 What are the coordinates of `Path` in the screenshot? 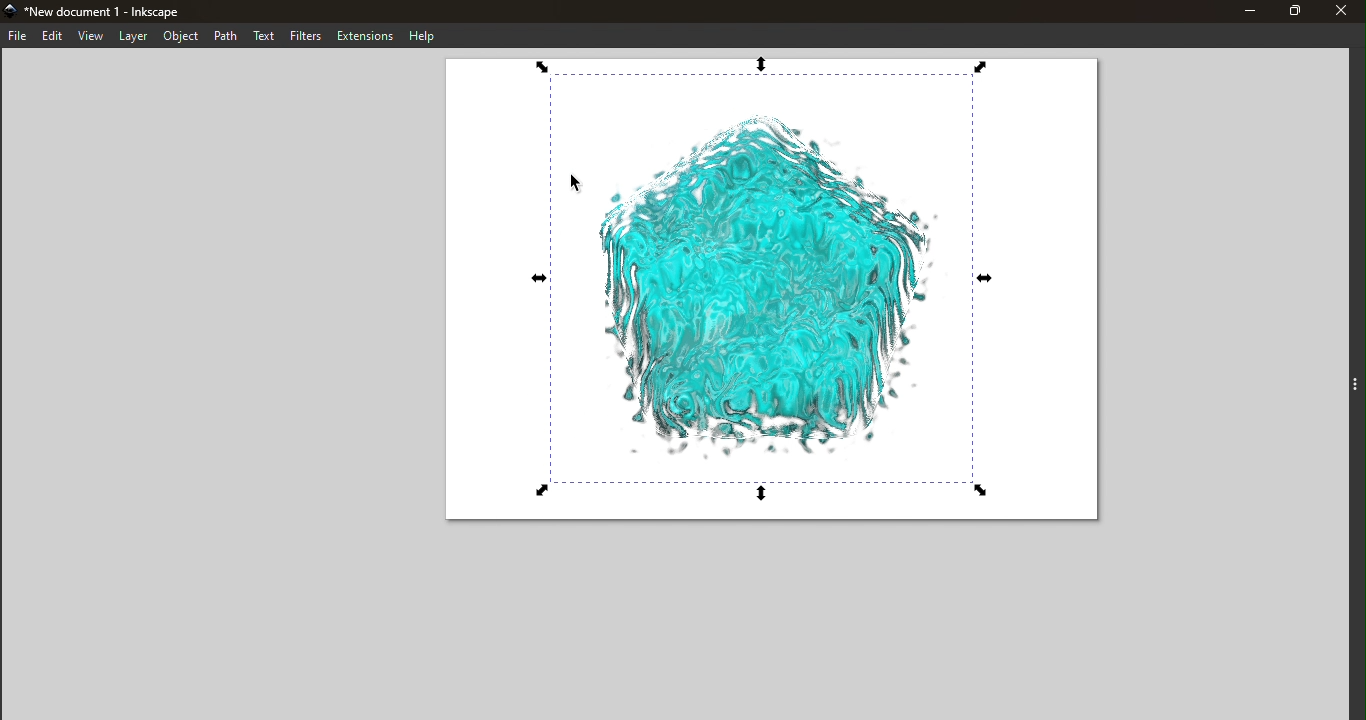 It's located at (226, 36).